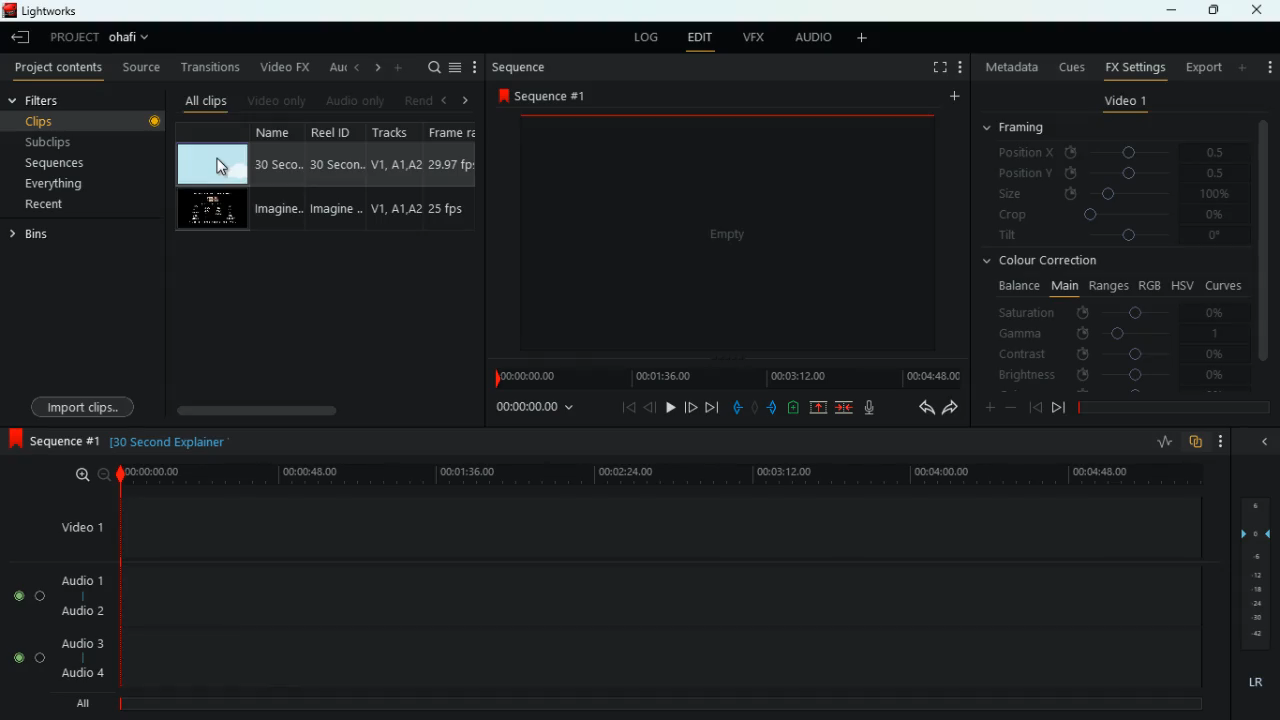 Image resolution: width=1280 pixels, height=720 pixels. I want to click on audio 2, so click(78, 610).